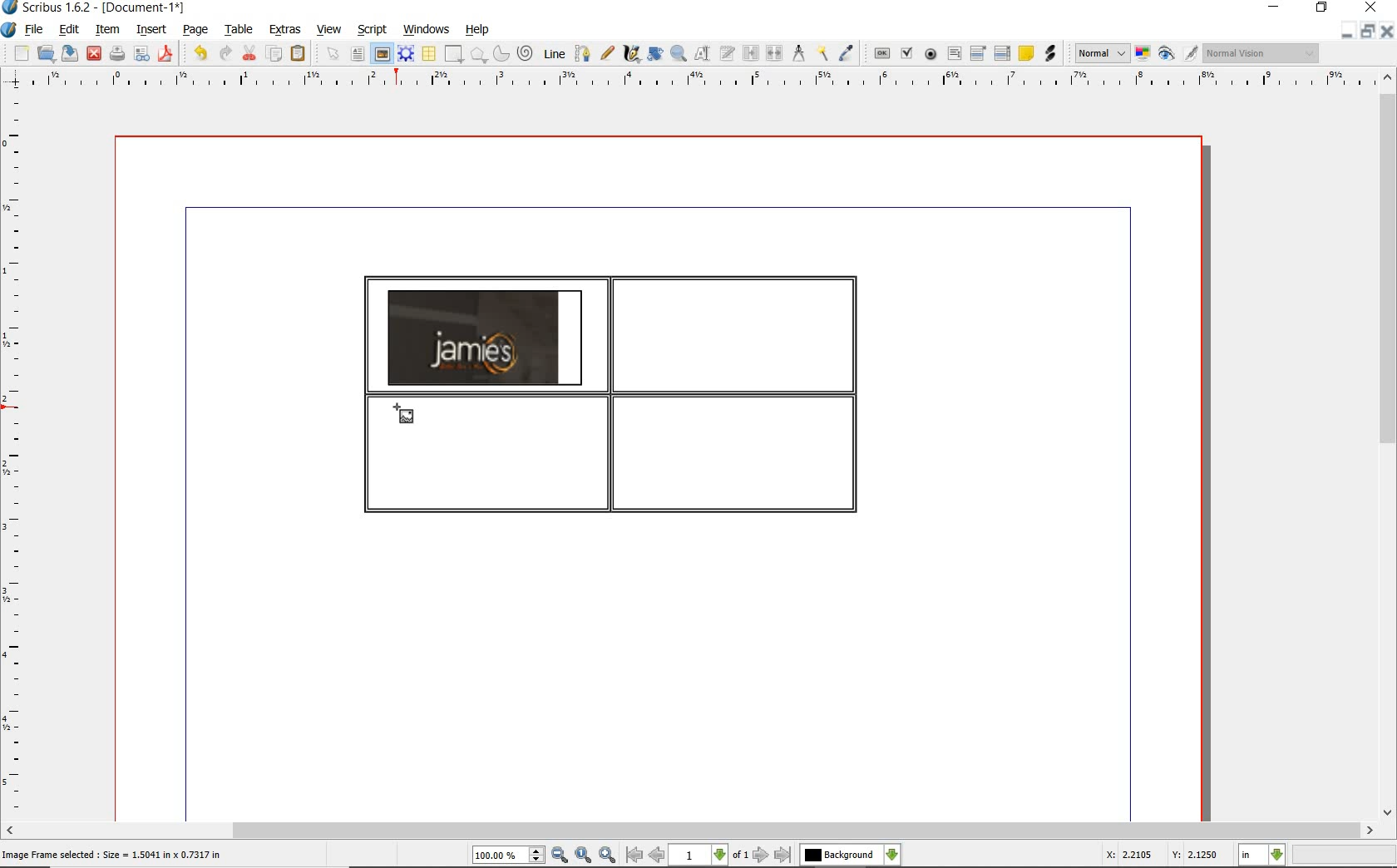  Describe the element at coordinates (931, 55) in the screenshot. I see `pdf radio box` at that location.